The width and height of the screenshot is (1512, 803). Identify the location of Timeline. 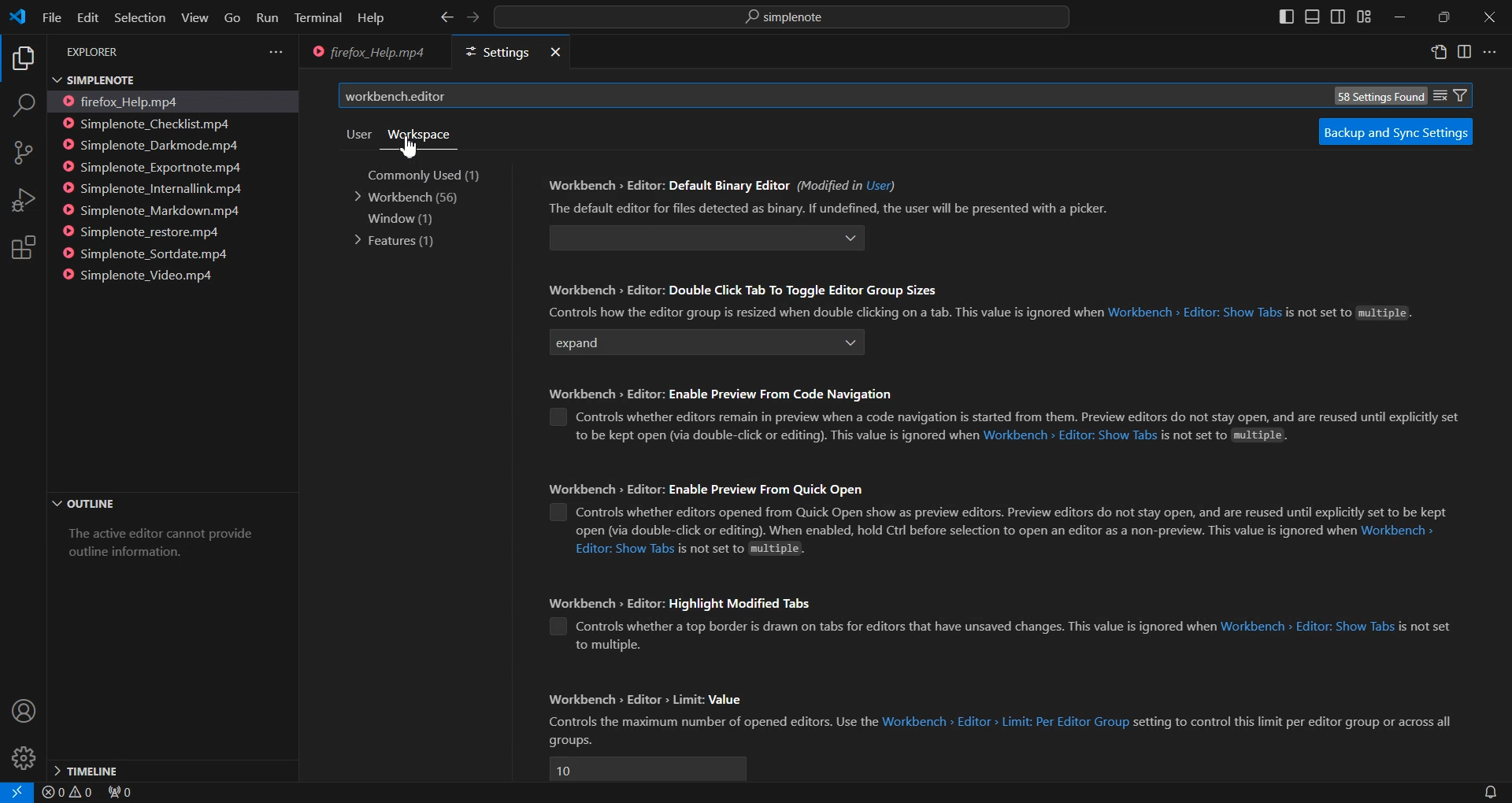
(171, 769).